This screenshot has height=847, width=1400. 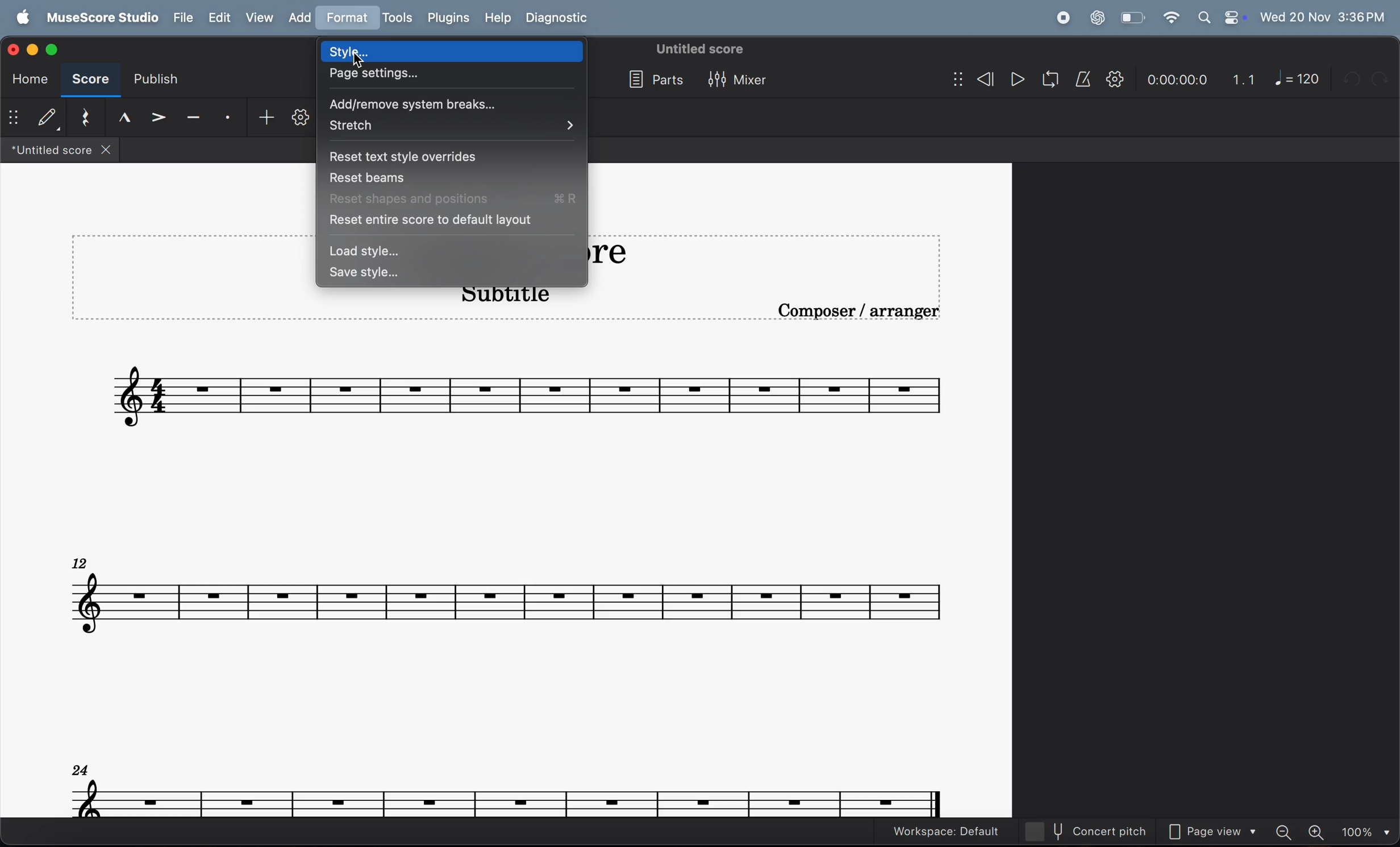 What do you see at coordinates (304, 18) in the screenshot?
I see `add` at bounding box center [304, 18].